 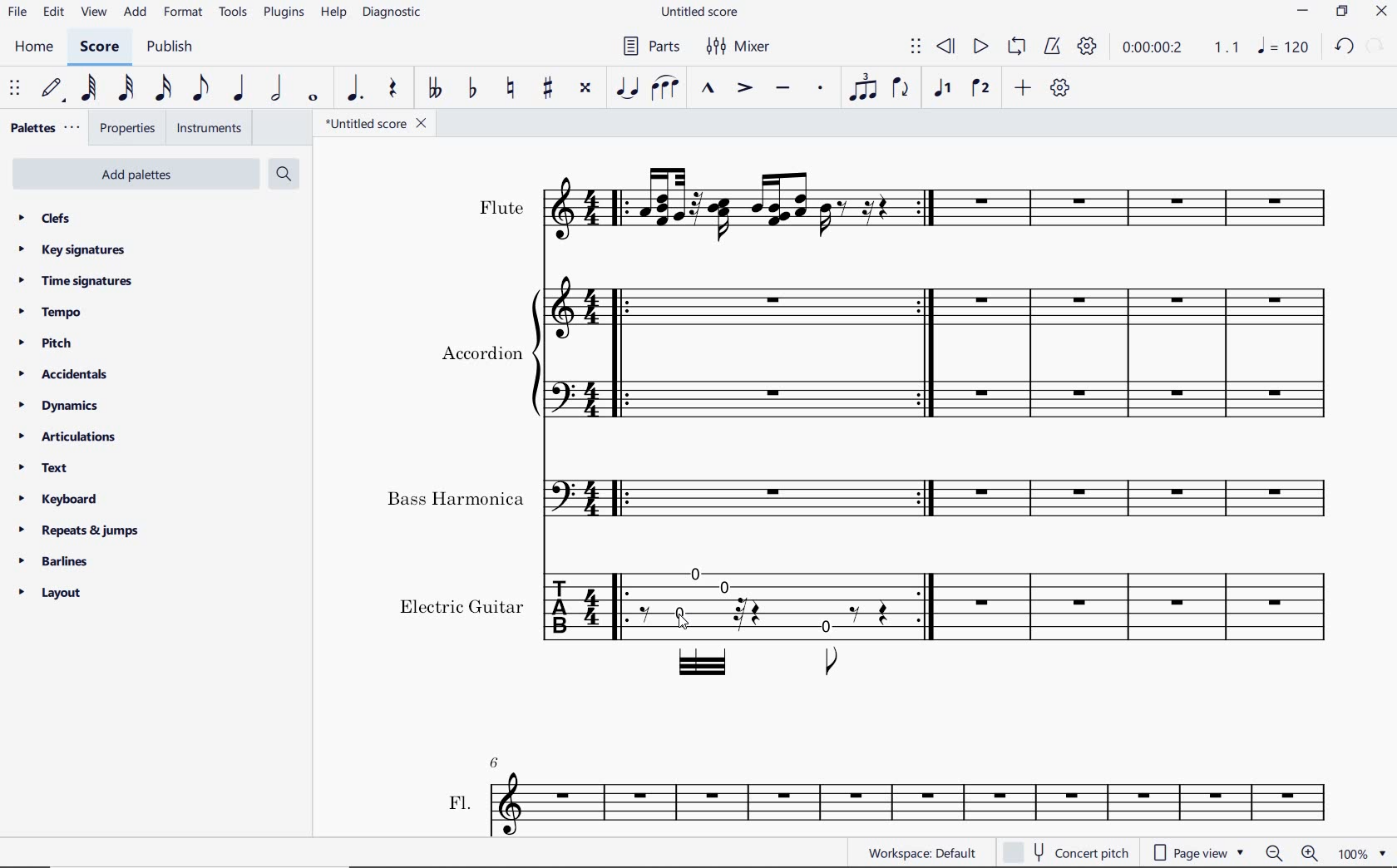 I want to click on key signatures, so click(x=73, y=251).